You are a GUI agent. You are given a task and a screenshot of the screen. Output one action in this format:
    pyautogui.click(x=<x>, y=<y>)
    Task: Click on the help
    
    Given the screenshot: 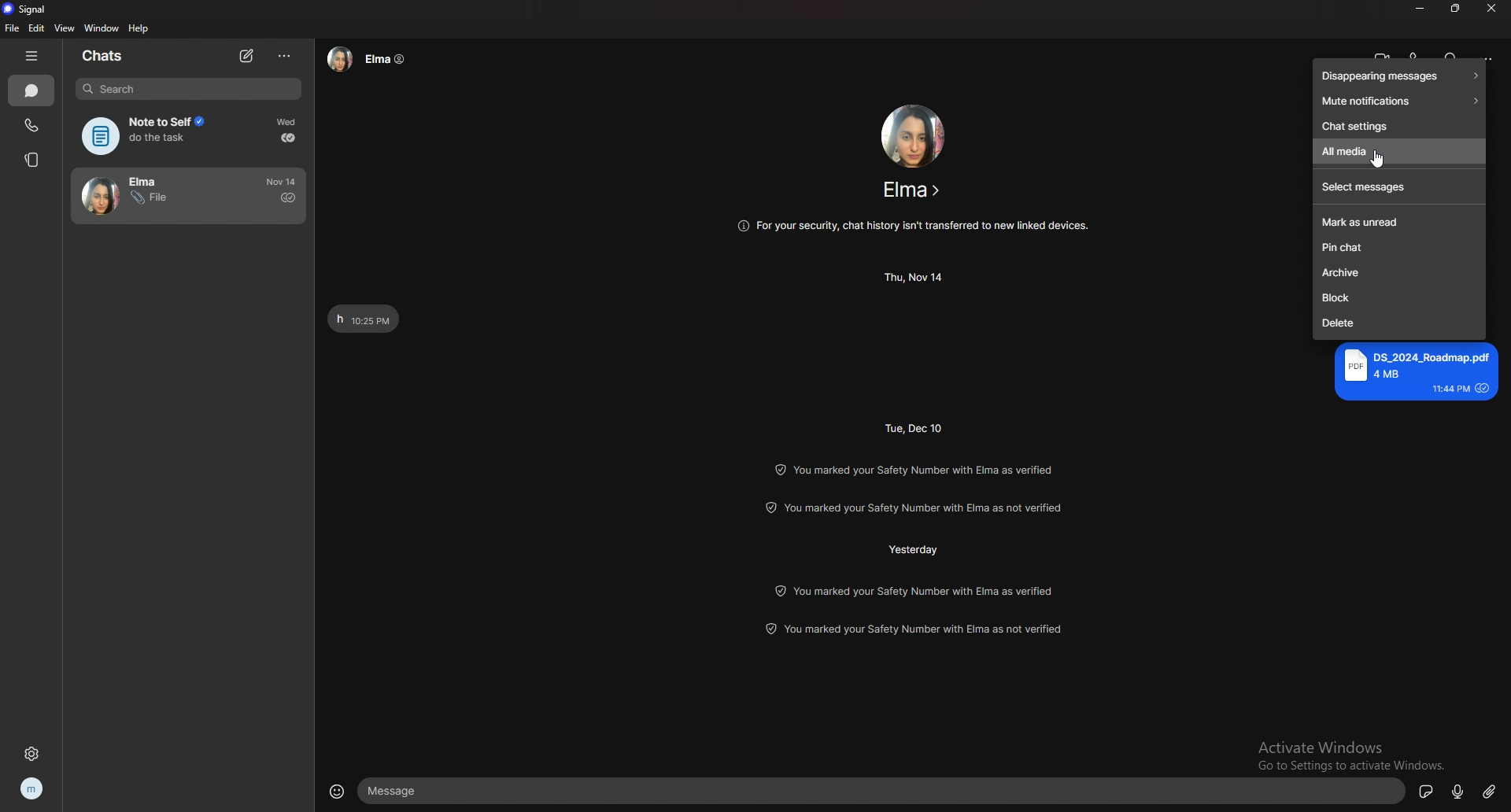 What is the action you would take?
    pyautogui.click(x=138, y=30)
    